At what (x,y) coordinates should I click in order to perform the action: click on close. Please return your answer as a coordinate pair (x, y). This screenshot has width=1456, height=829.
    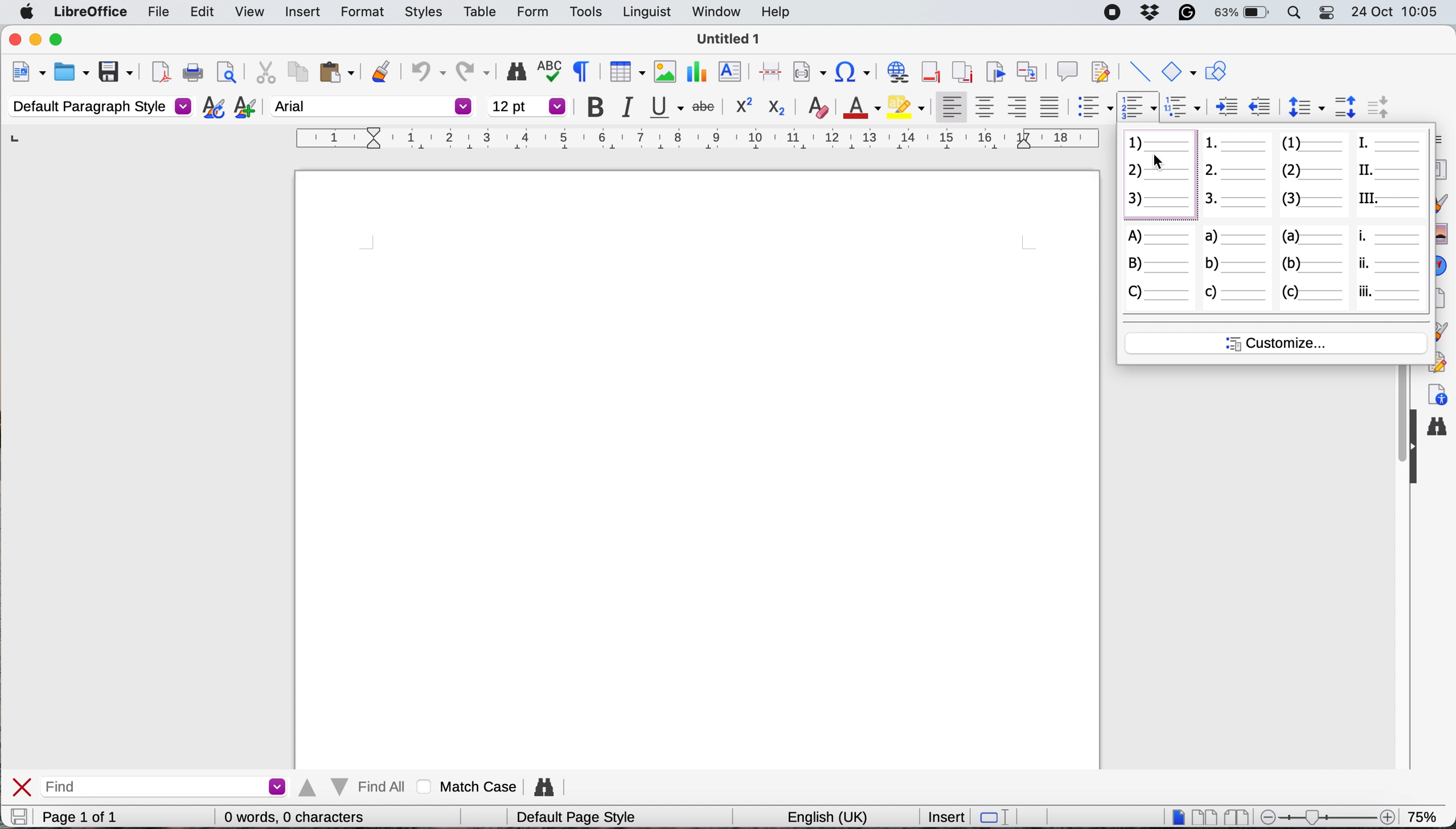
    Looking at the image, I should click on (13, 40).